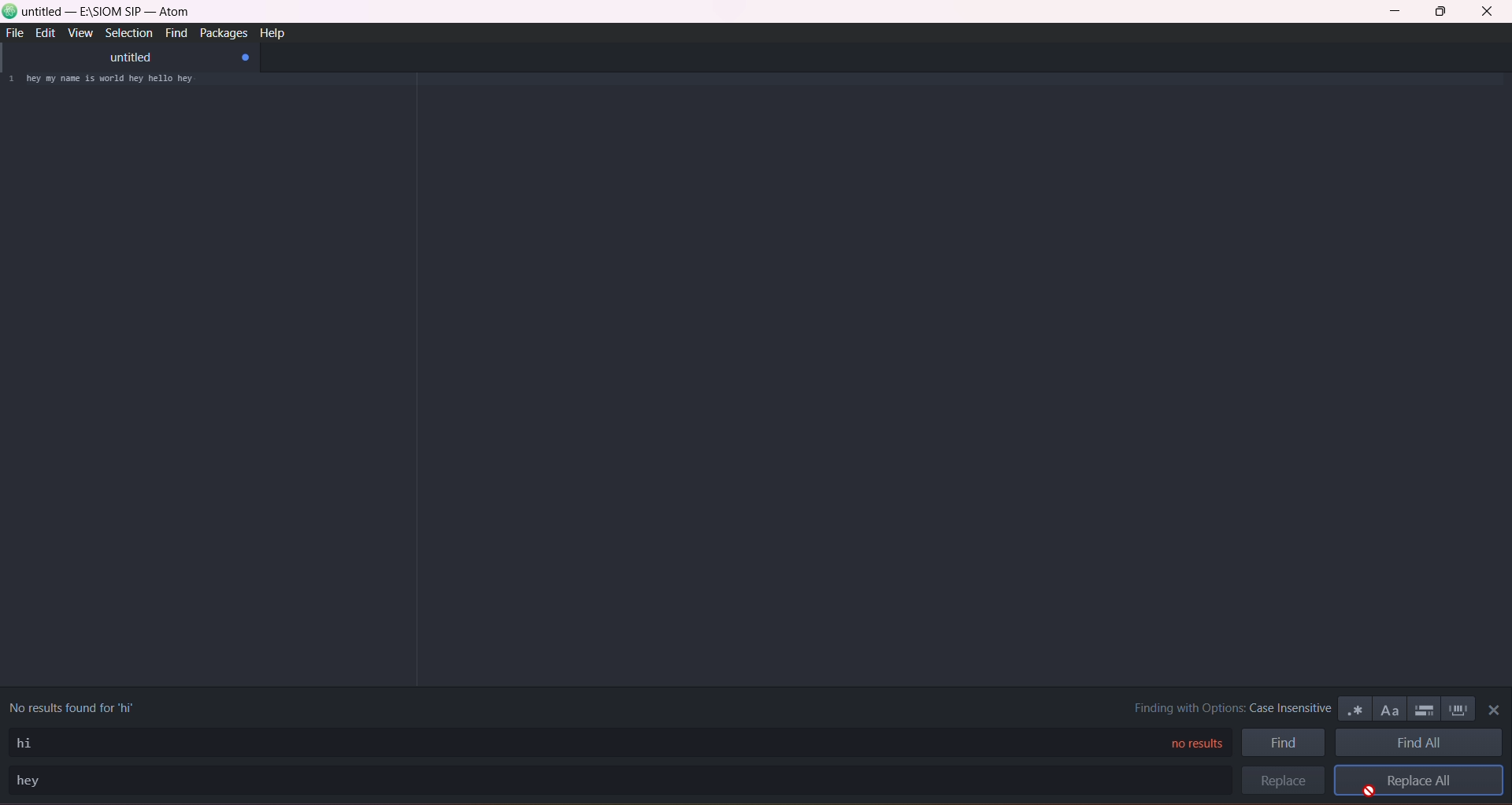  I want to click on close panel, so click(1491, 712).